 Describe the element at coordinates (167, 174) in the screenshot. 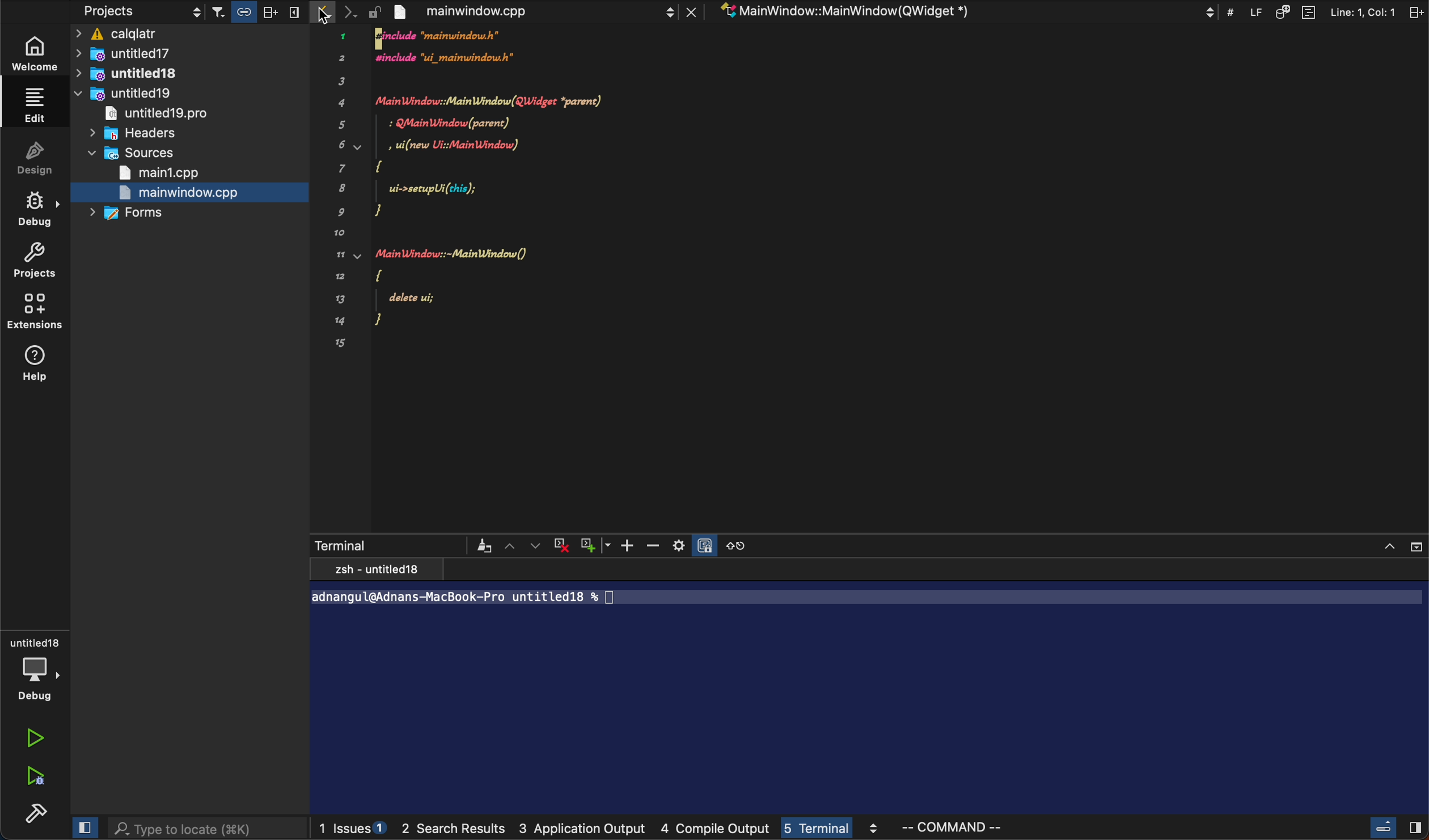

I see `main1.cpp` at that location.